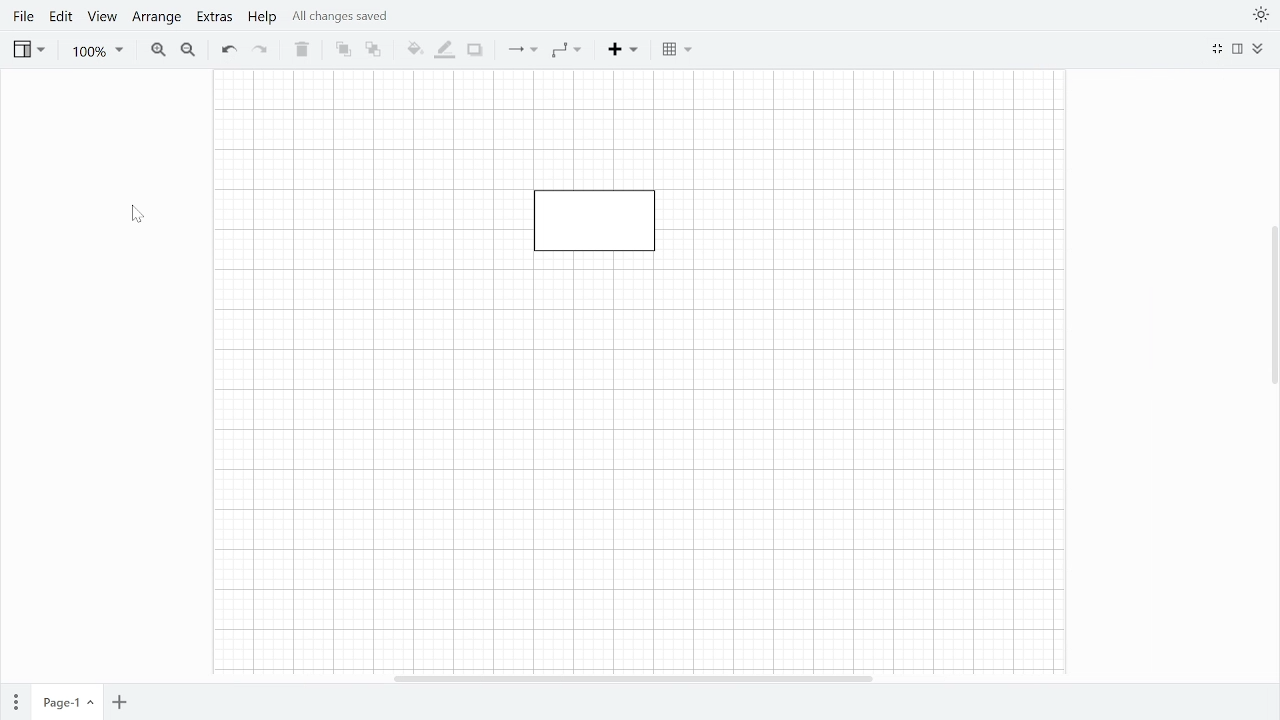 The height and width of the screenshot is (720, 1280). Describe the element at coordinates (157, 50) in the screenshot. I see `Zoom in` at that location.